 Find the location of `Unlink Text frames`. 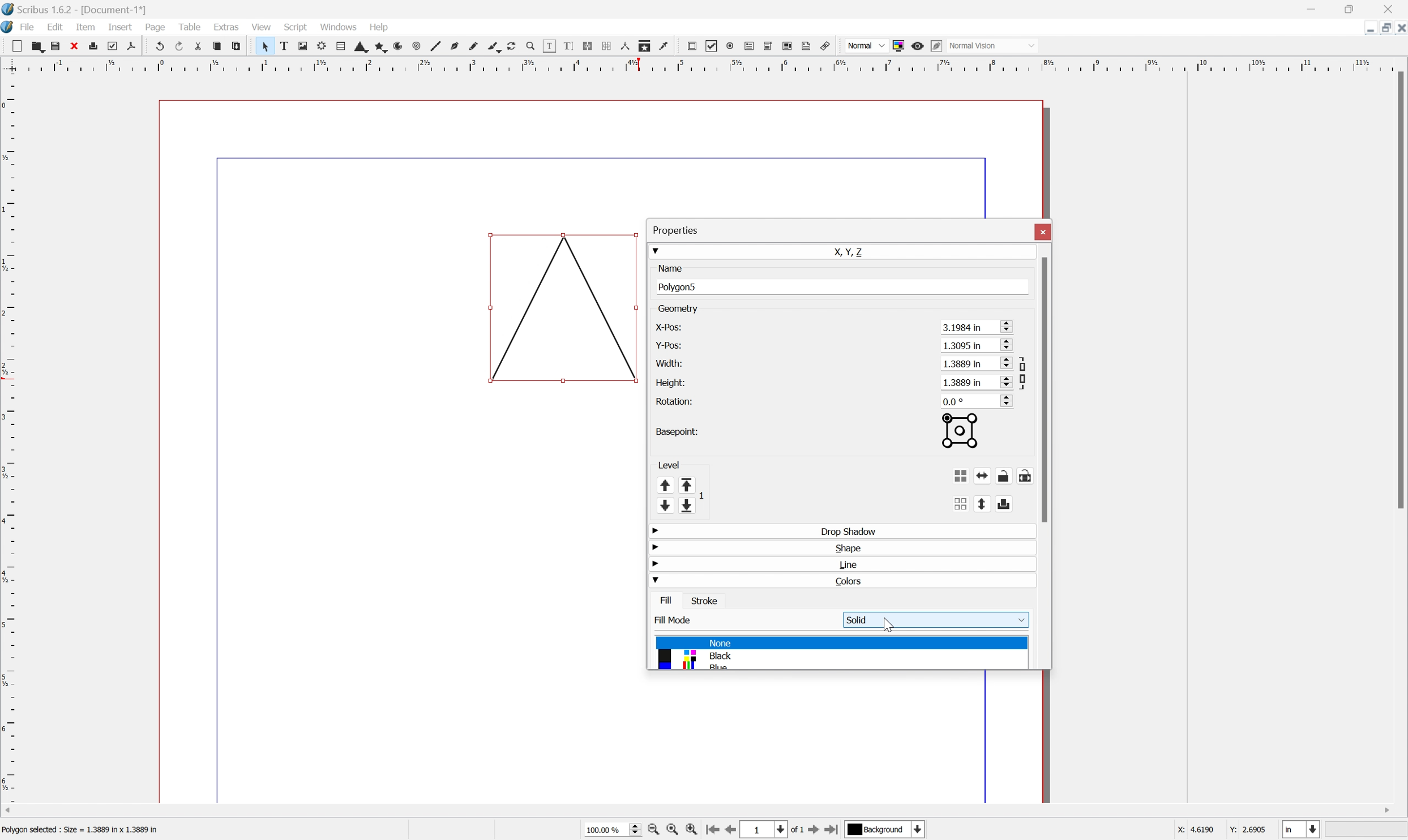

Unlink Text frames is located at coordinates (605, 46).